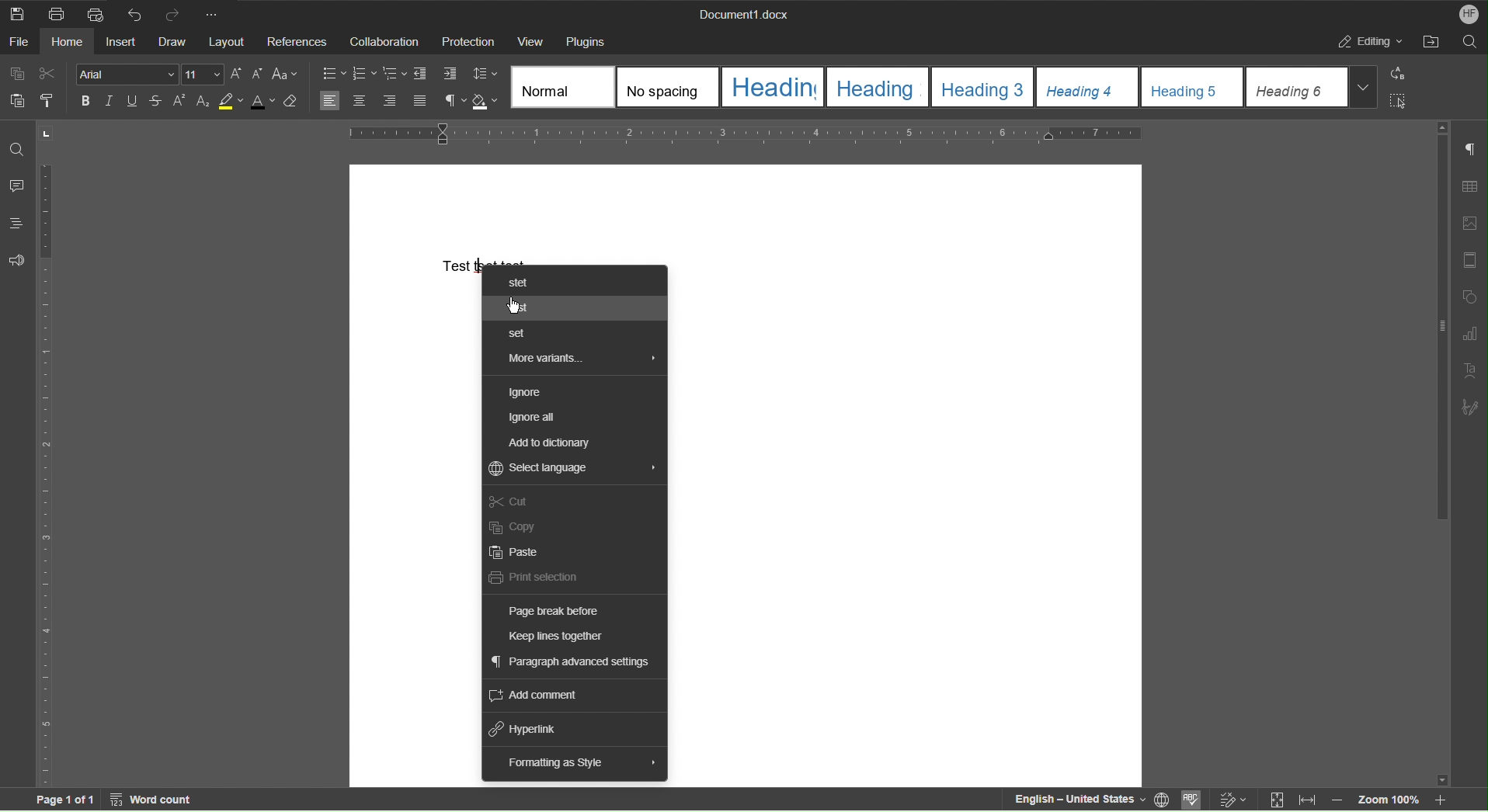  Describe the element at coordinates (126, 42) in the screenshot. I see `Insert` at that location.